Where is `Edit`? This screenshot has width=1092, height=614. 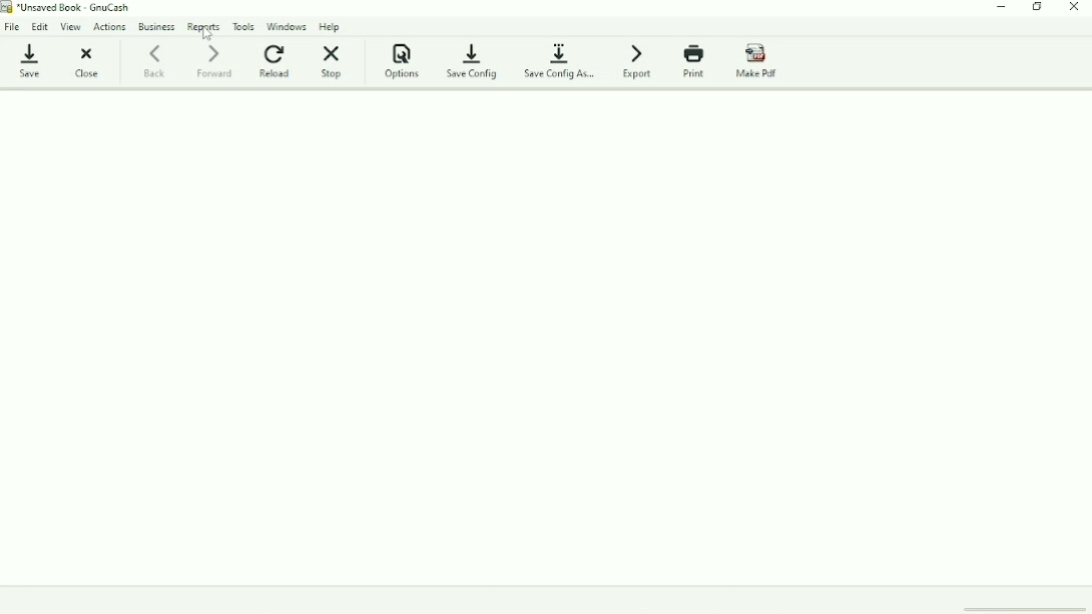 Edit is located at coordinates (40, 25).